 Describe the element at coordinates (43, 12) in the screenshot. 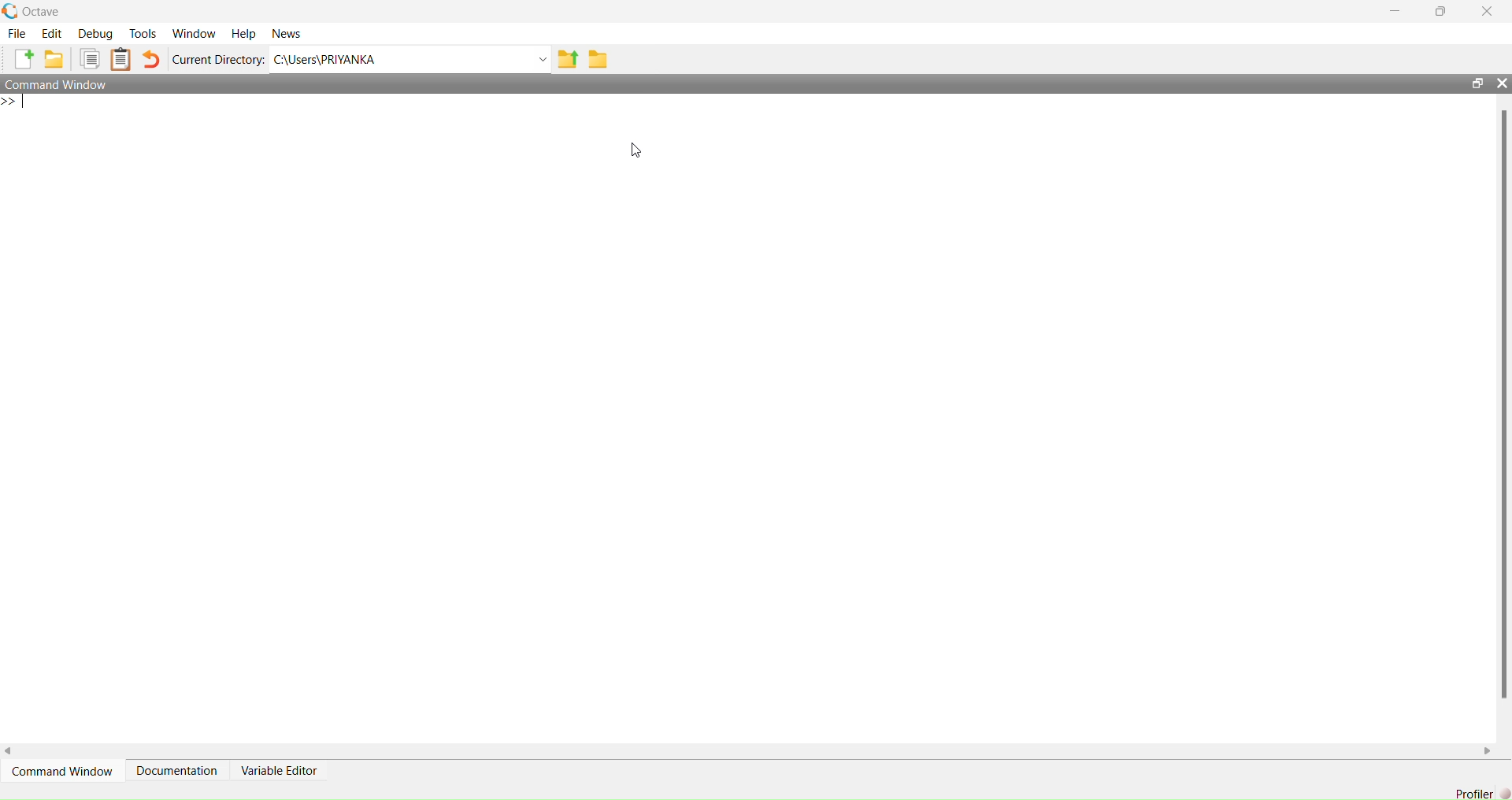

I see `Octave` at that location.